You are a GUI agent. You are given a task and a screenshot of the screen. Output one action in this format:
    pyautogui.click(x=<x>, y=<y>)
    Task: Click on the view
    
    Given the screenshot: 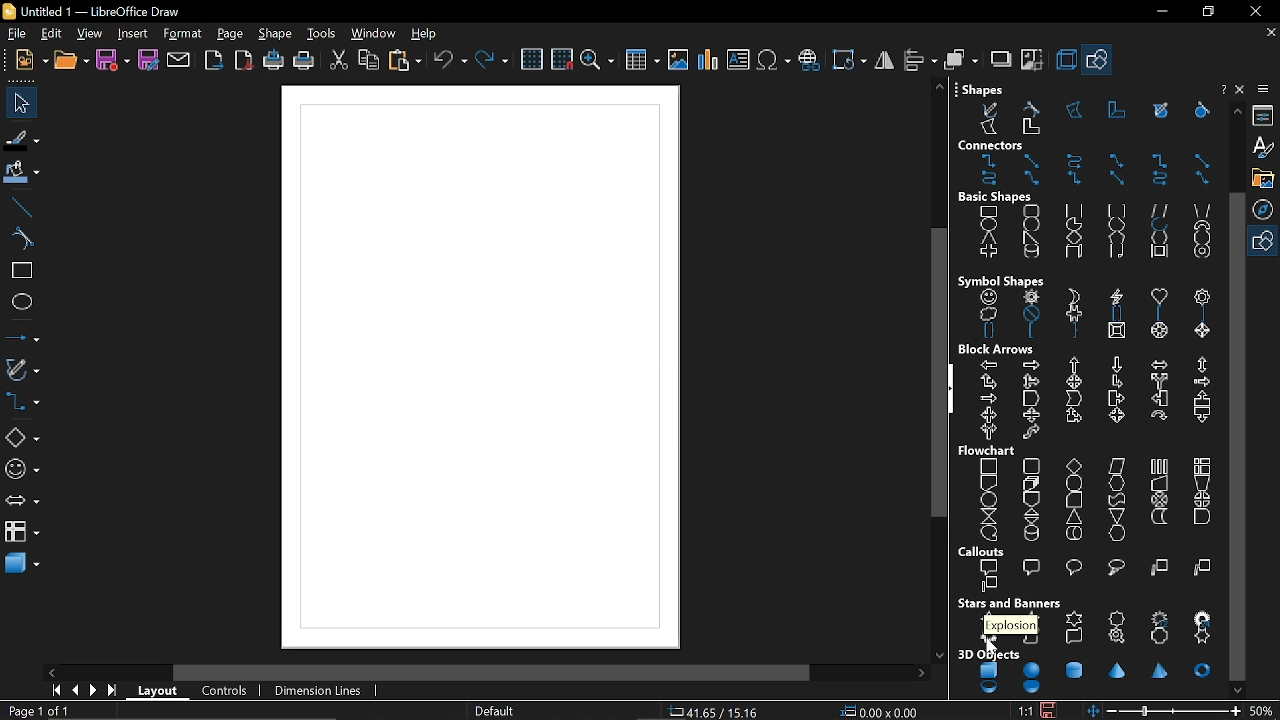 What is the action you would take?
    pyautogui.click(x=92, y=34)
    